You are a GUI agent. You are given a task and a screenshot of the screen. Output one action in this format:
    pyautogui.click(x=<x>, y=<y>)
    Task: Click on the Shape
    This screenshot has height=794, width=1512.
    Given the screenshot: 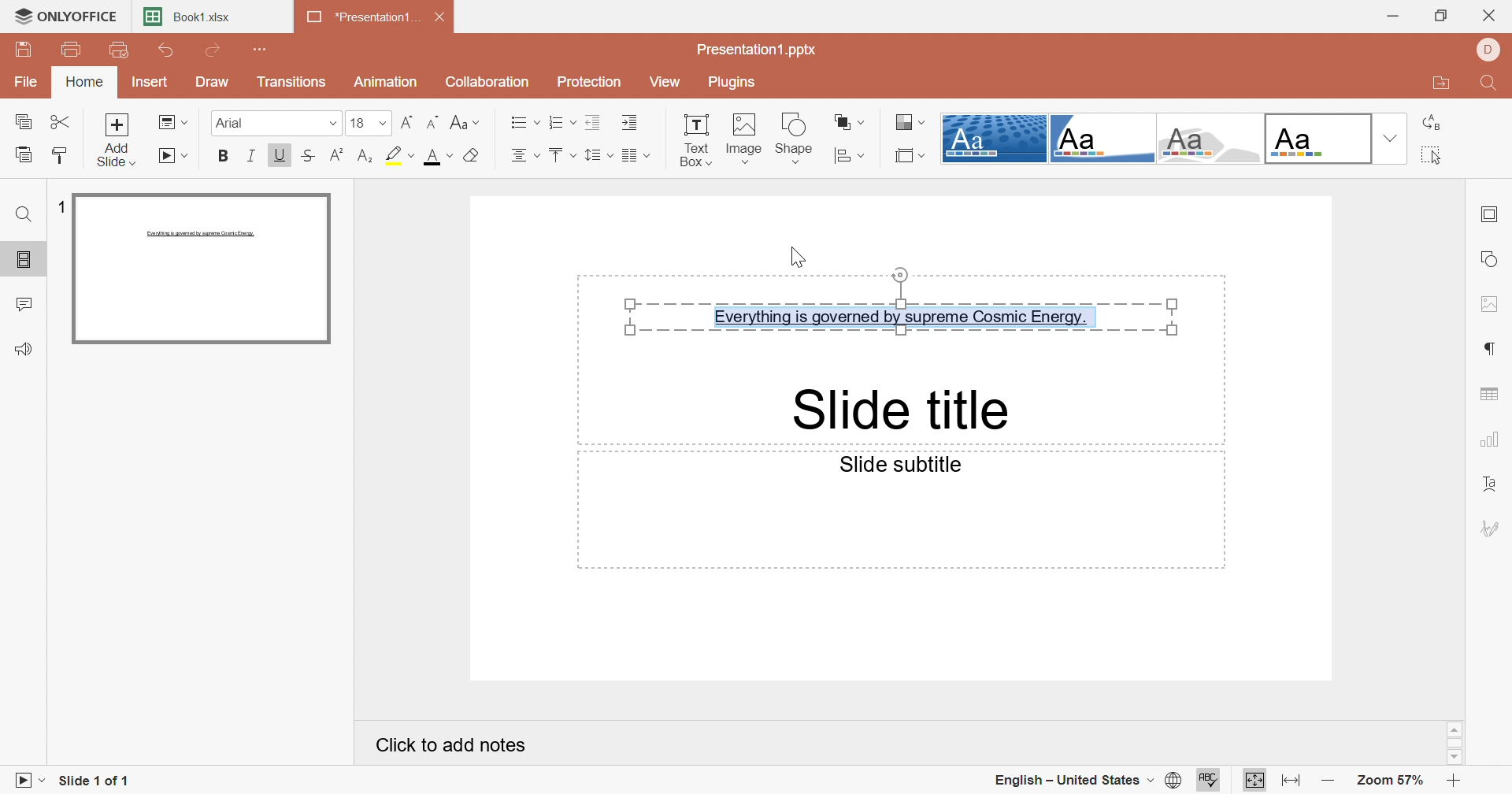 What is the action you would take?
    pyautogui.click(x=794, y=138)
    